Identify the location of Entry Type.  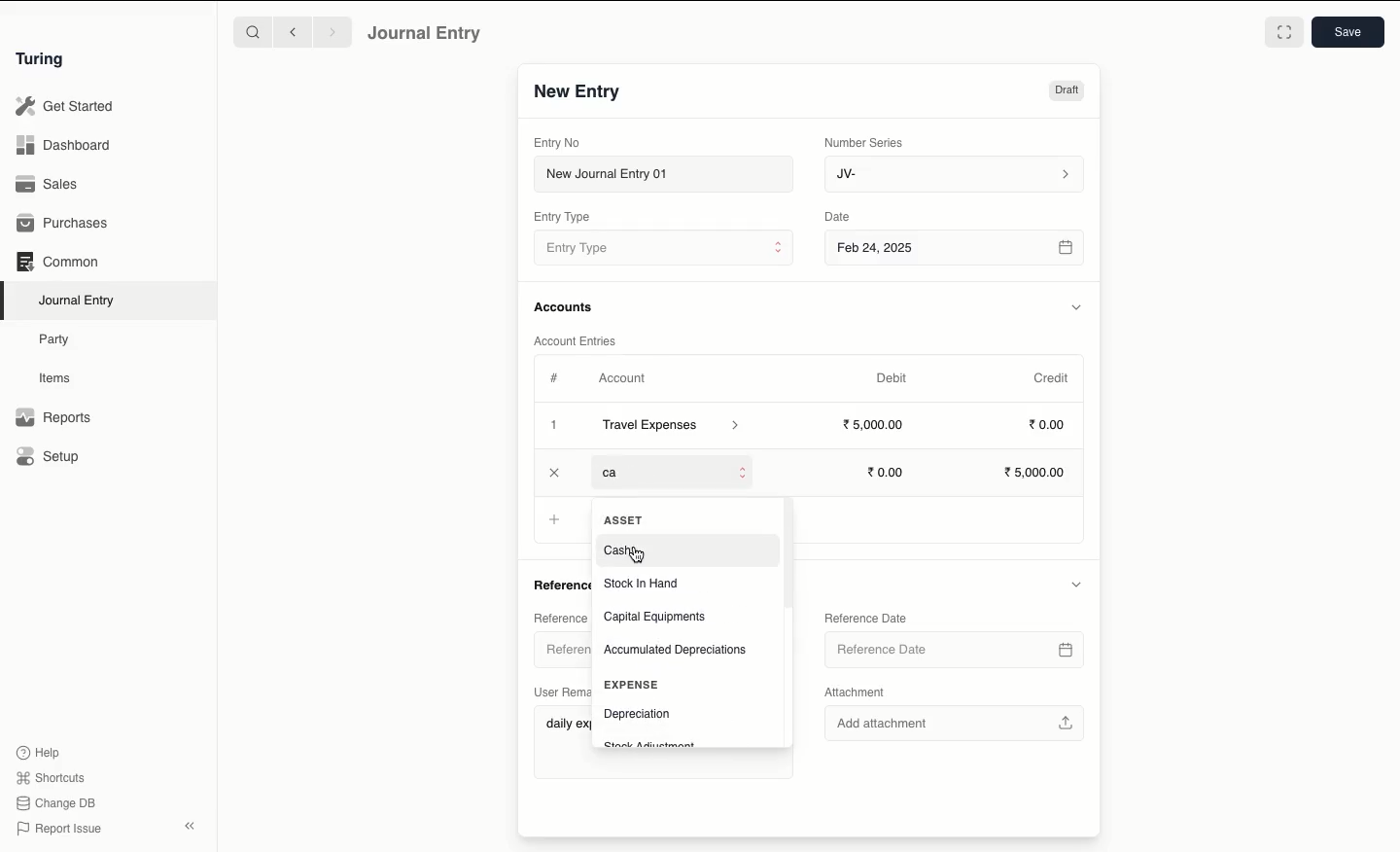
(663, 247).